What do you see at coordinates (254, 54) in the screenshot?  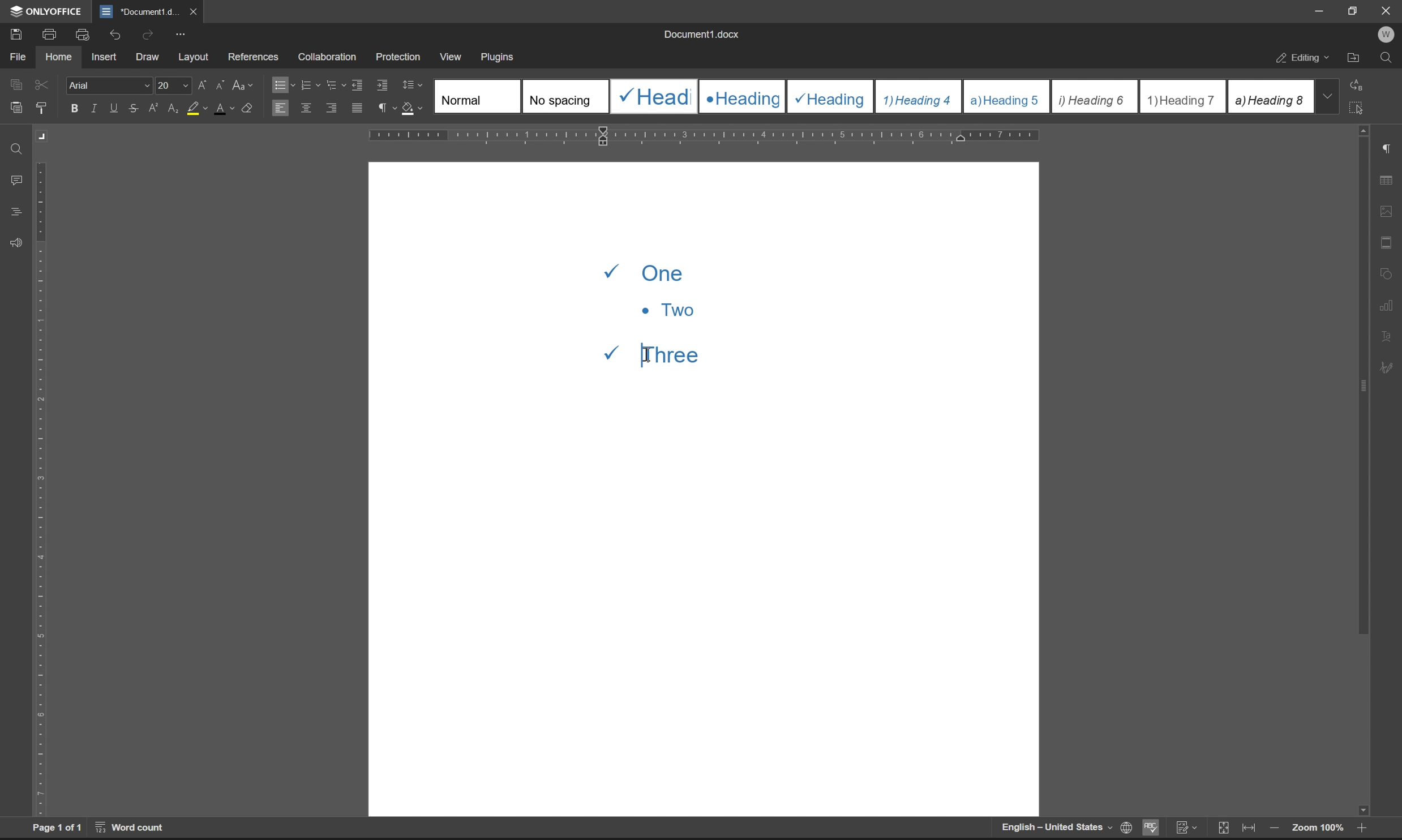 I see `references` at bounding box center [254, 54].